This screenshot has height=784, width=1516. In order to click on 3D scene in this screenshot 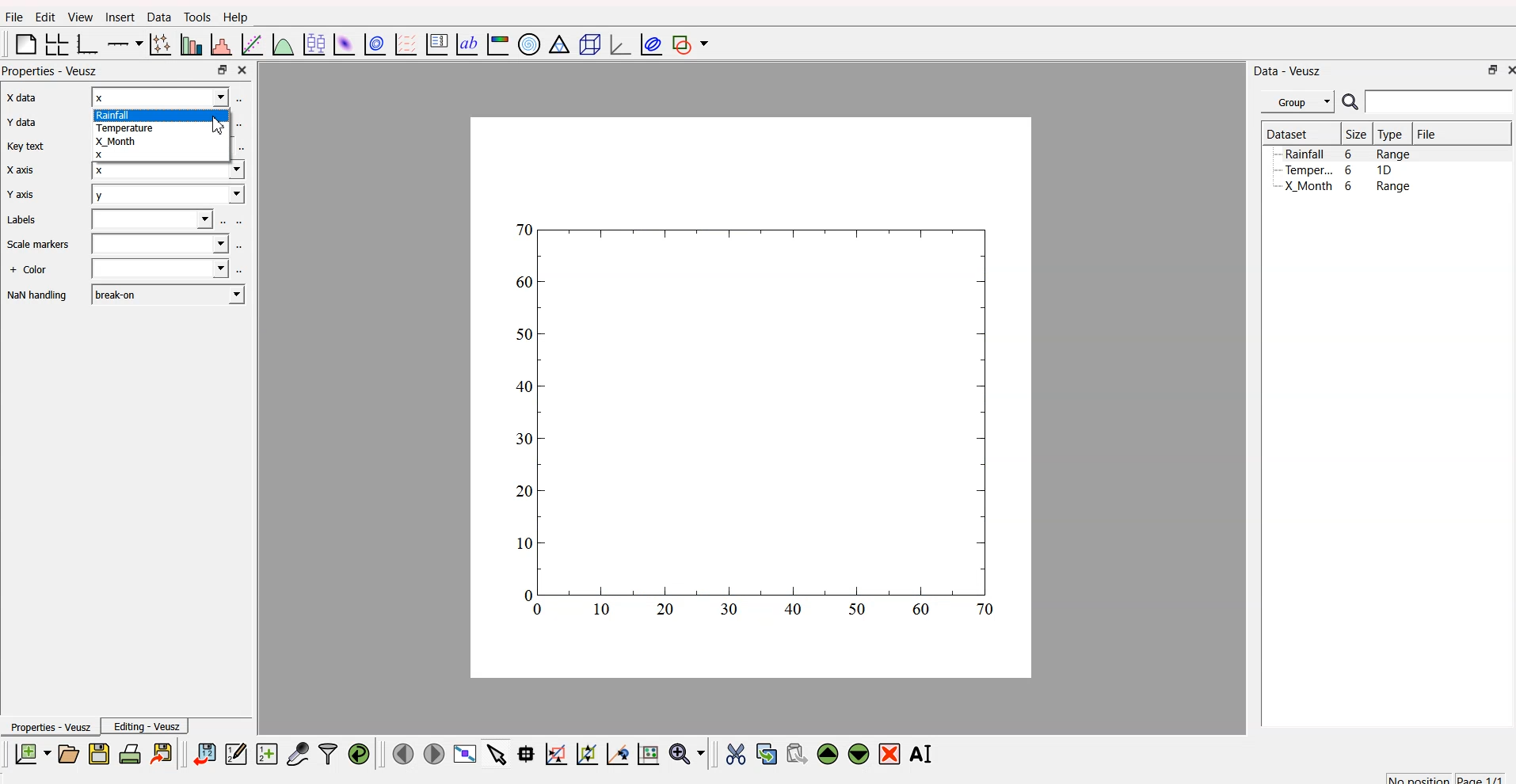, I will do `click(586, 44)`.